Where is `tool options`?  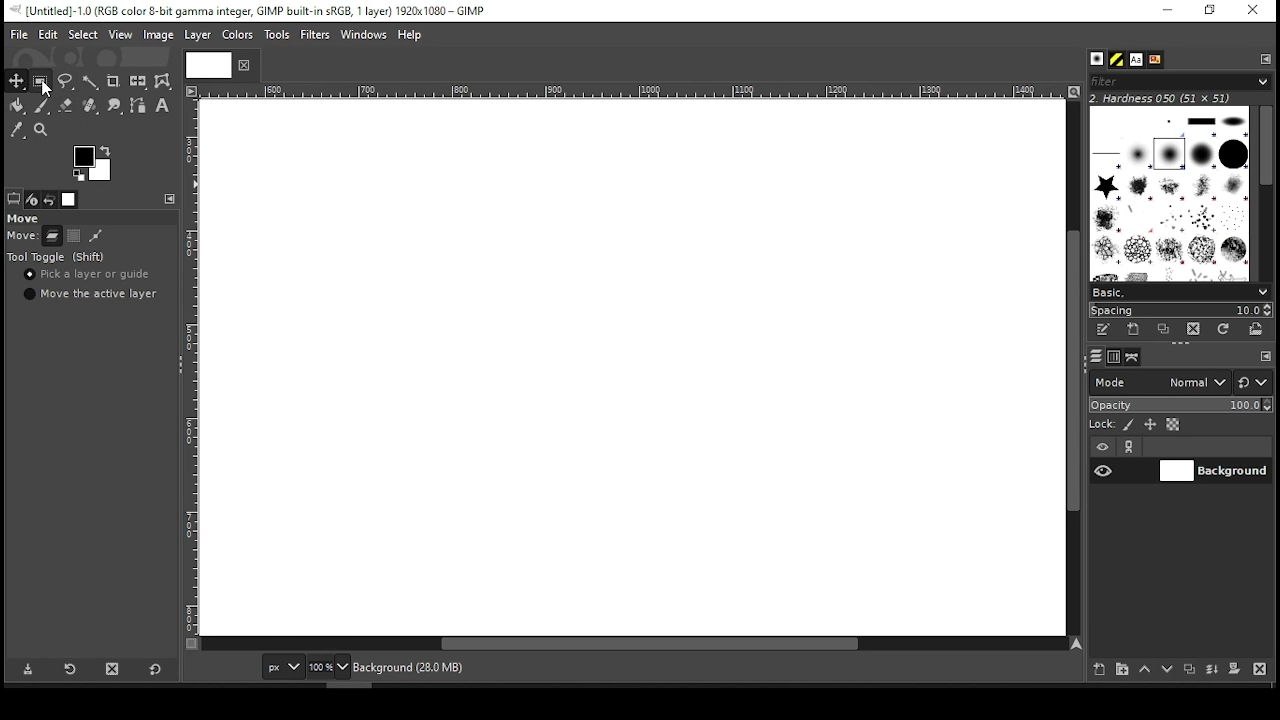 tool options is located at coordinates (14, 198).